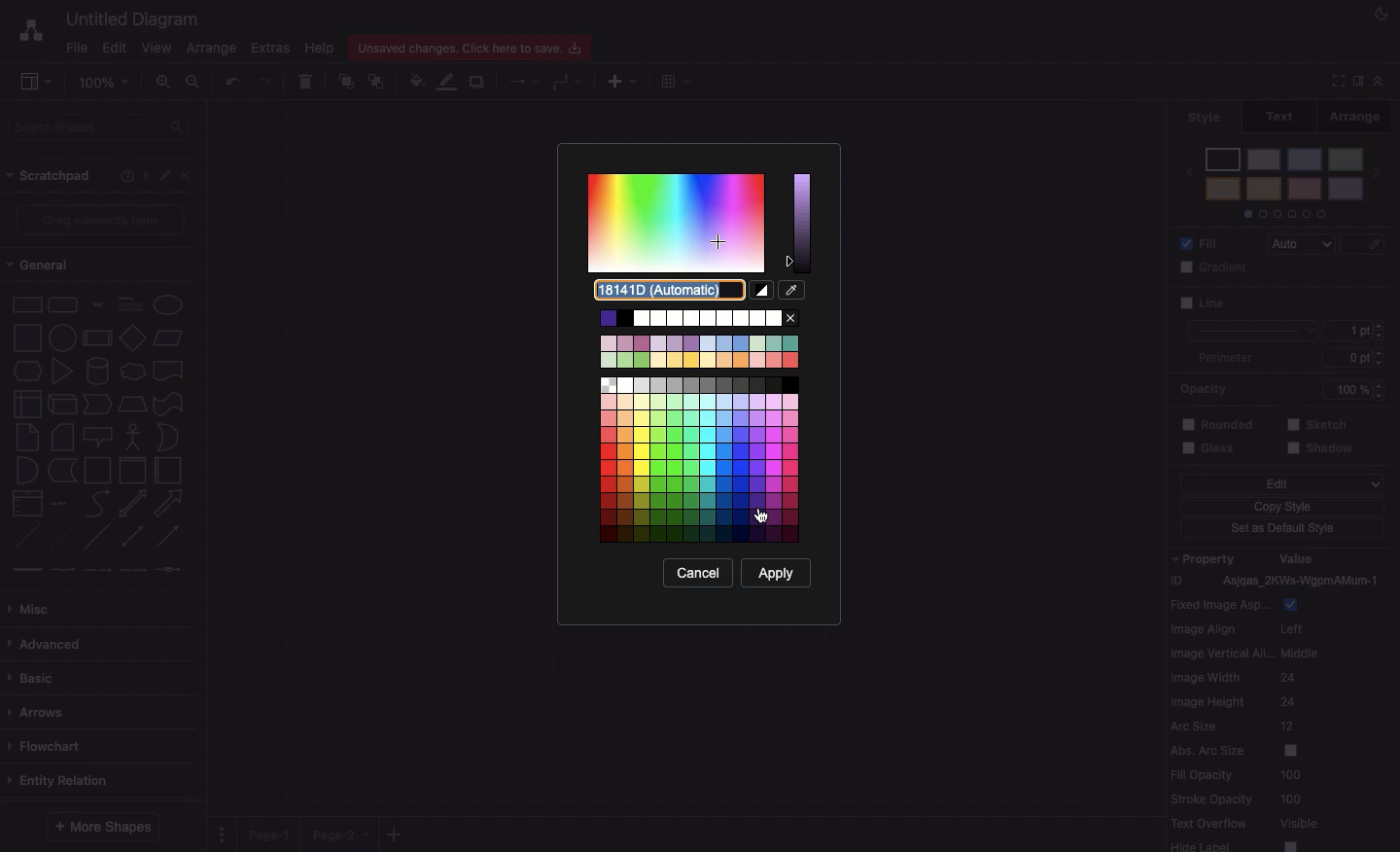 Image resolution: width=1400 pixels, height=852 pixels. I want to click on Draw.io, so click(30, 29).